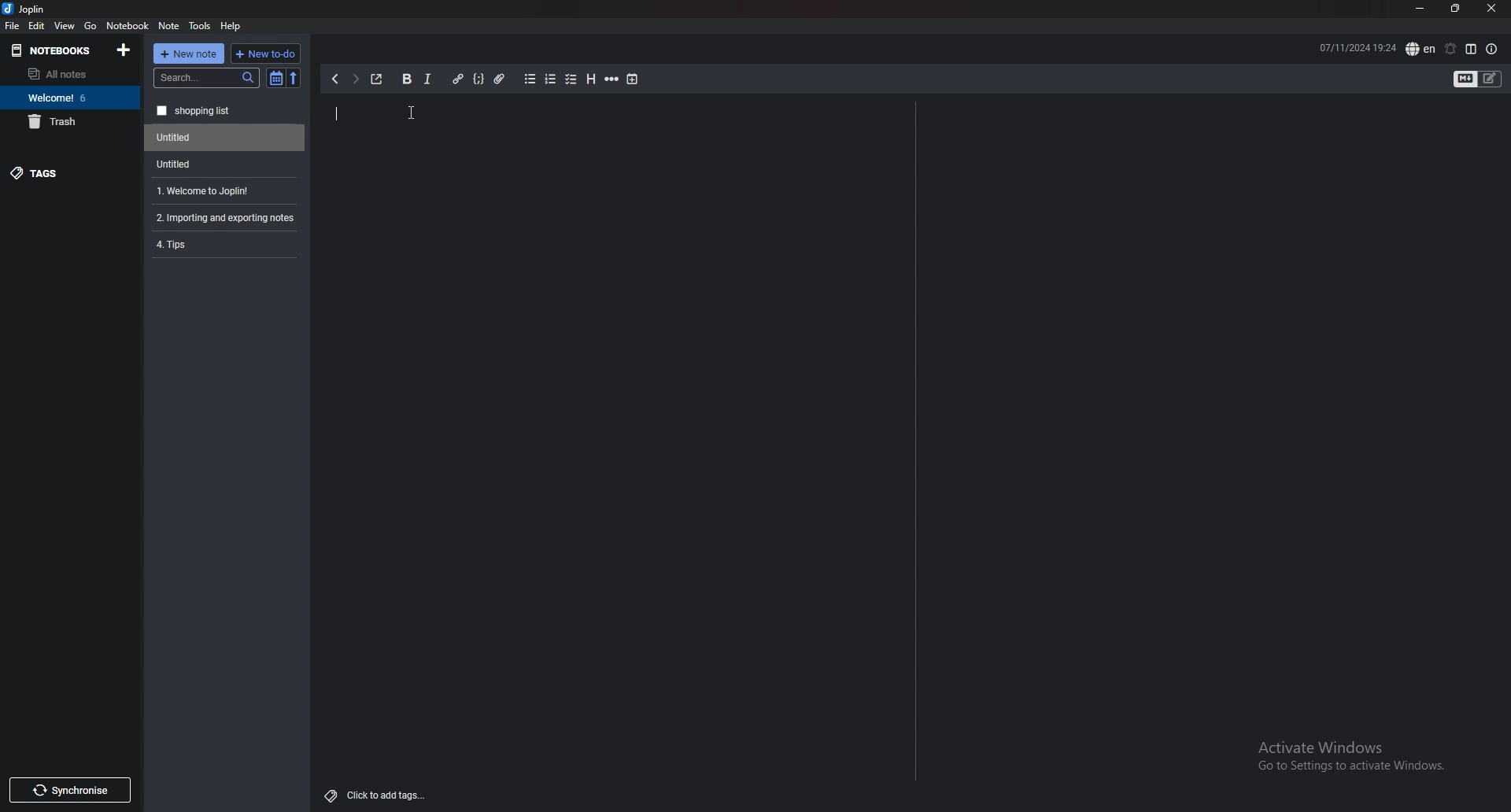  I want to click on help, so click(231, 25).